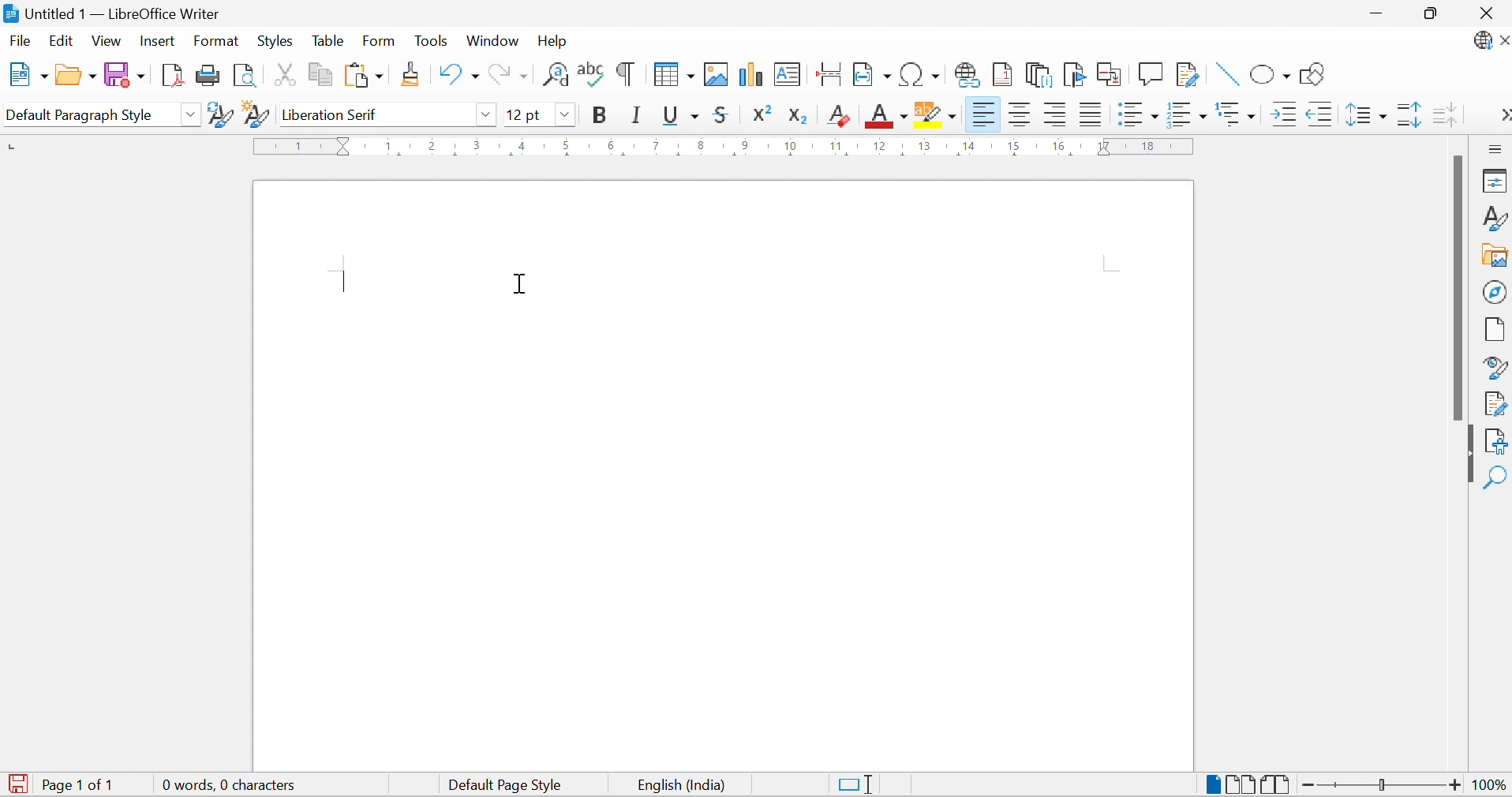  What do you see at coordinates (1495, 149) in the screenshot?
I see `Sidebar Settings` at bounding box center [1495, 149].